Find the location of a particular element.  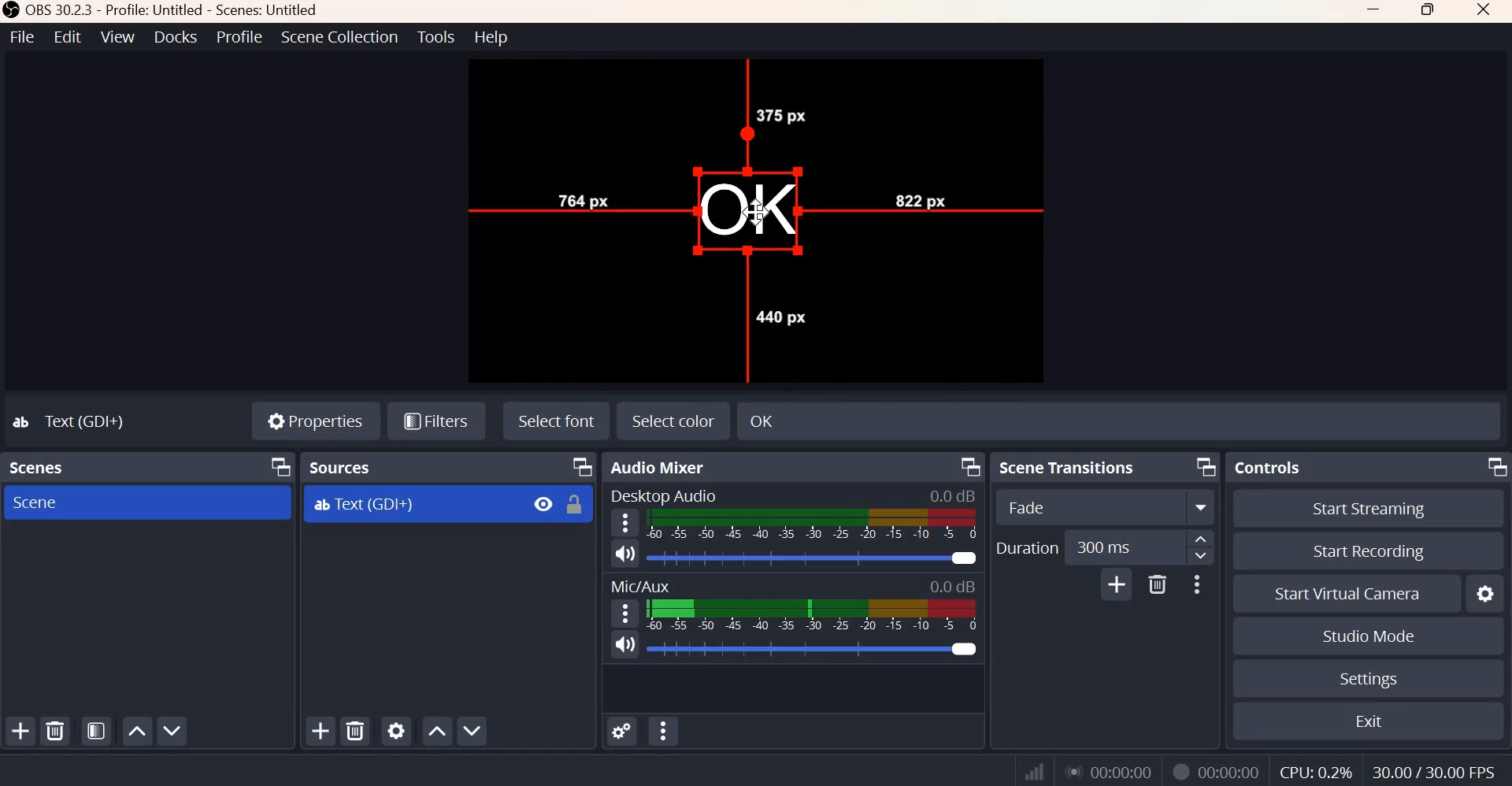

Duration Input is located at coordinates (1124, 547).